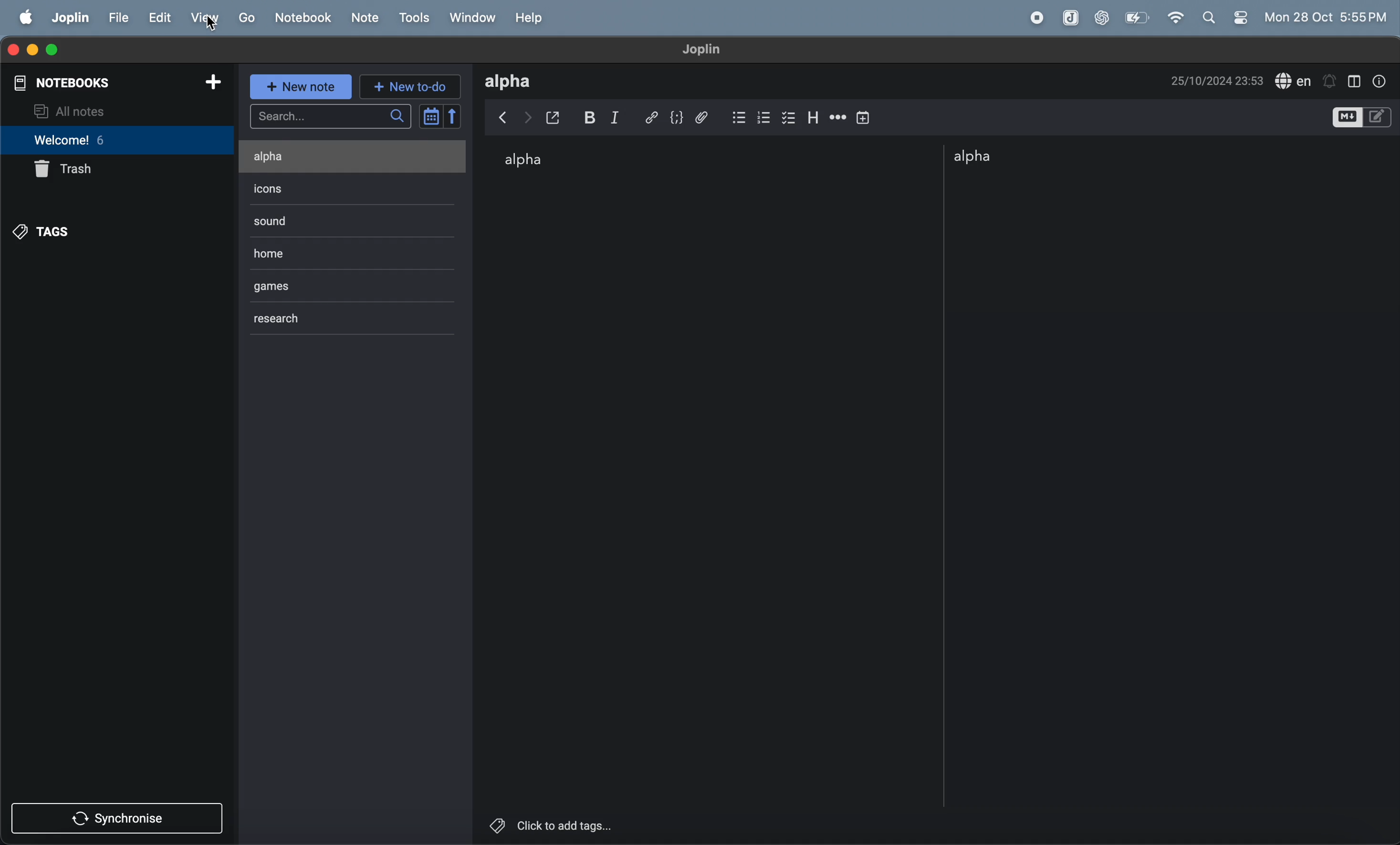  I want to click on window, so click(474, 18).